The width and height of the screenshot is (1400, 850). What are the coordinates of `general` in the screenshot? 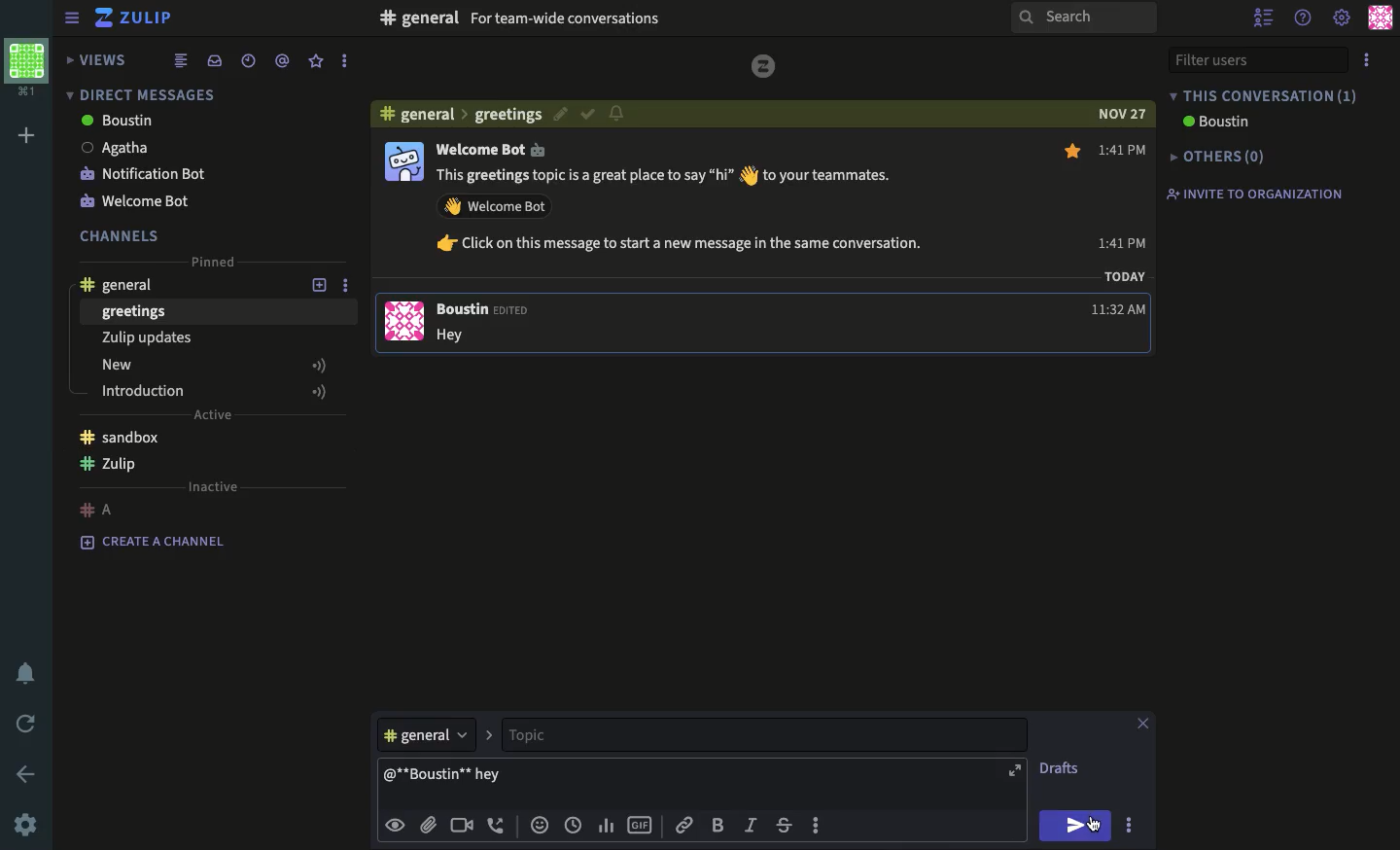 It's located at (424, 116).